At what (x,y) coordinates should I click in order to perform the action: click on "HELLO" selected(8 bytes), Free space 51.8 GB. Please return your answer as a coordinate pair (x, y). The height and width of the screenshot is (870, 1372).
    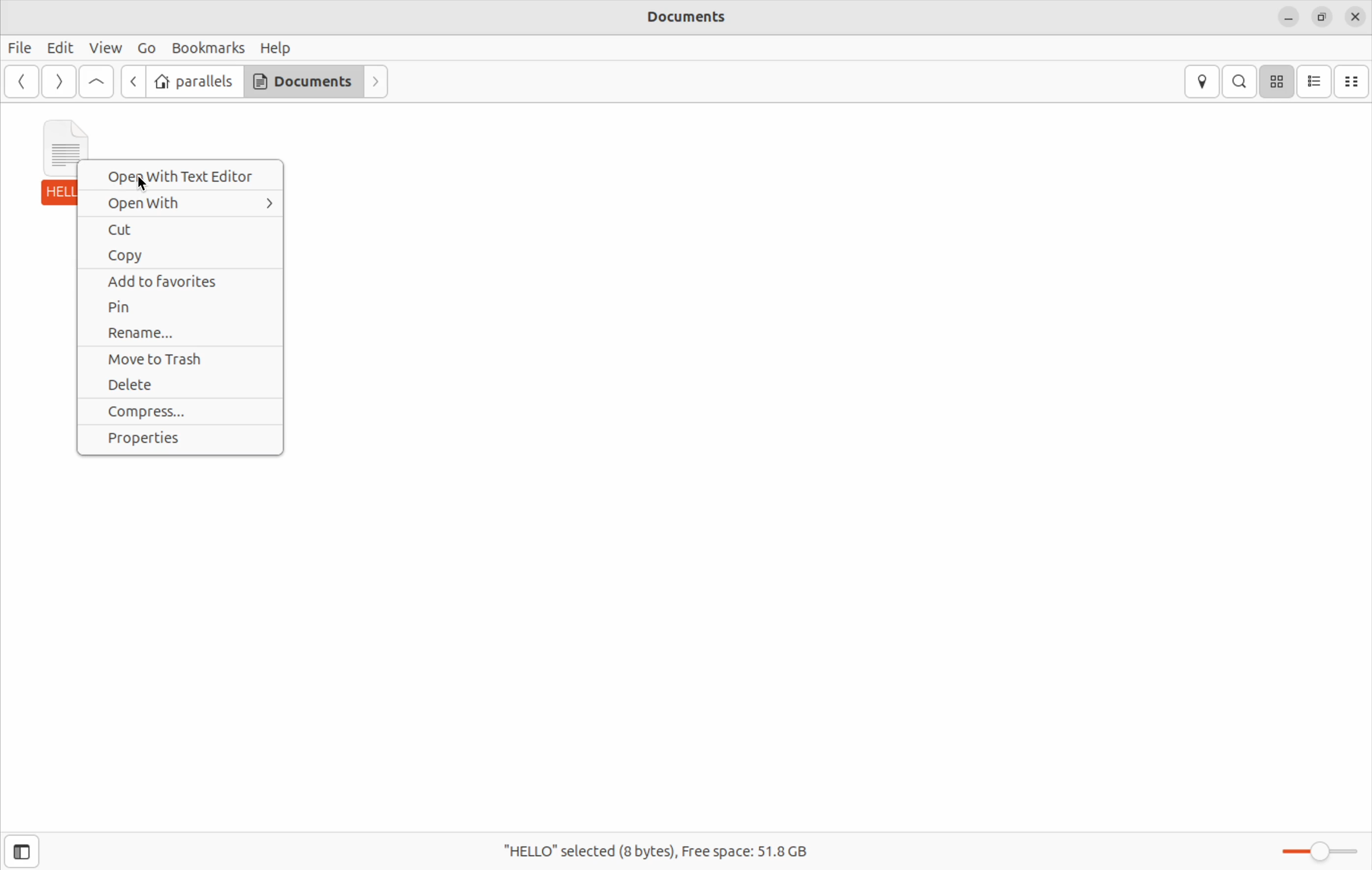
    Looking at the image, I should click on (667, 852).